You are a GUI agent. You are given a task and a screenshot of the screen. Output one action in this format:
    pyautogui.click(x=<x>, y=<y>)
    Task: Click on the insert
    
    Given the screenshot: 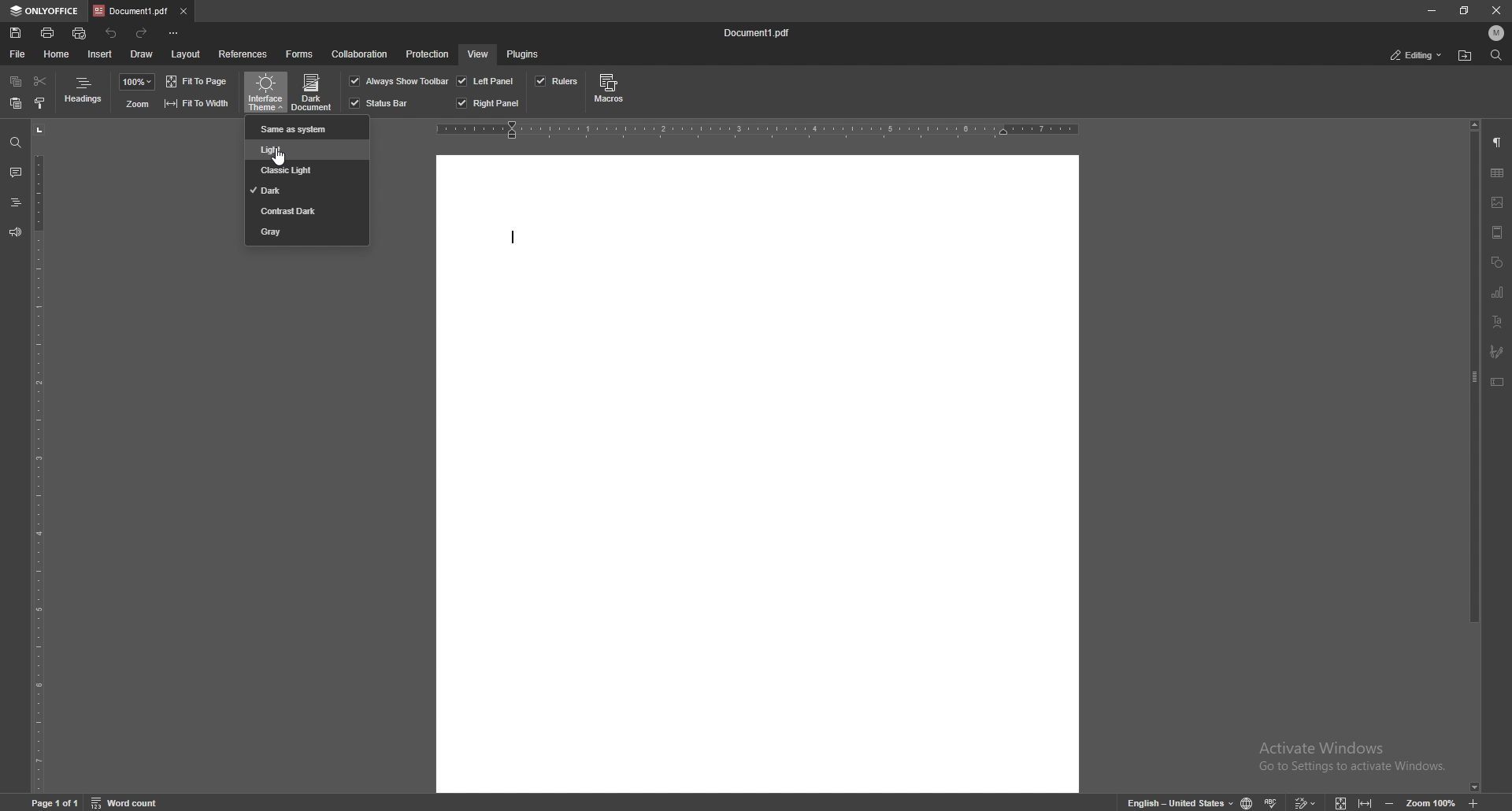 What is the action you would take?
    pyautogui.click(x=100, y=54)
    